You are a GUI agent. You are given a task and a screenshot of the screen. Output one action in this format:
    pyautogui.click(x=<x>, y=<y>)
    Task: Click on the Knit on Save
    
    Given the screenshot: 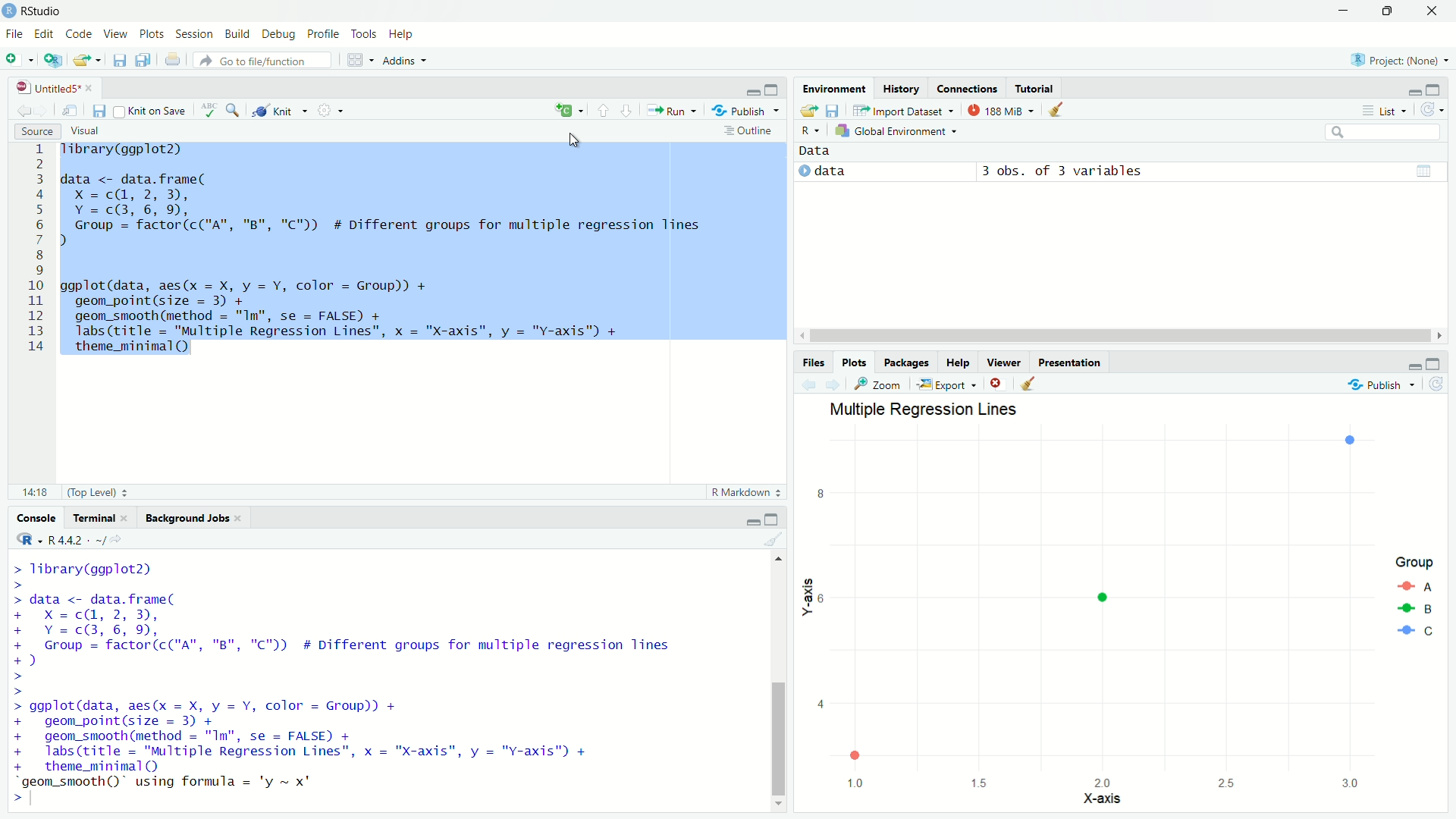 What is the action you would take?
    pyautogui.click(x=152, y=111)
    